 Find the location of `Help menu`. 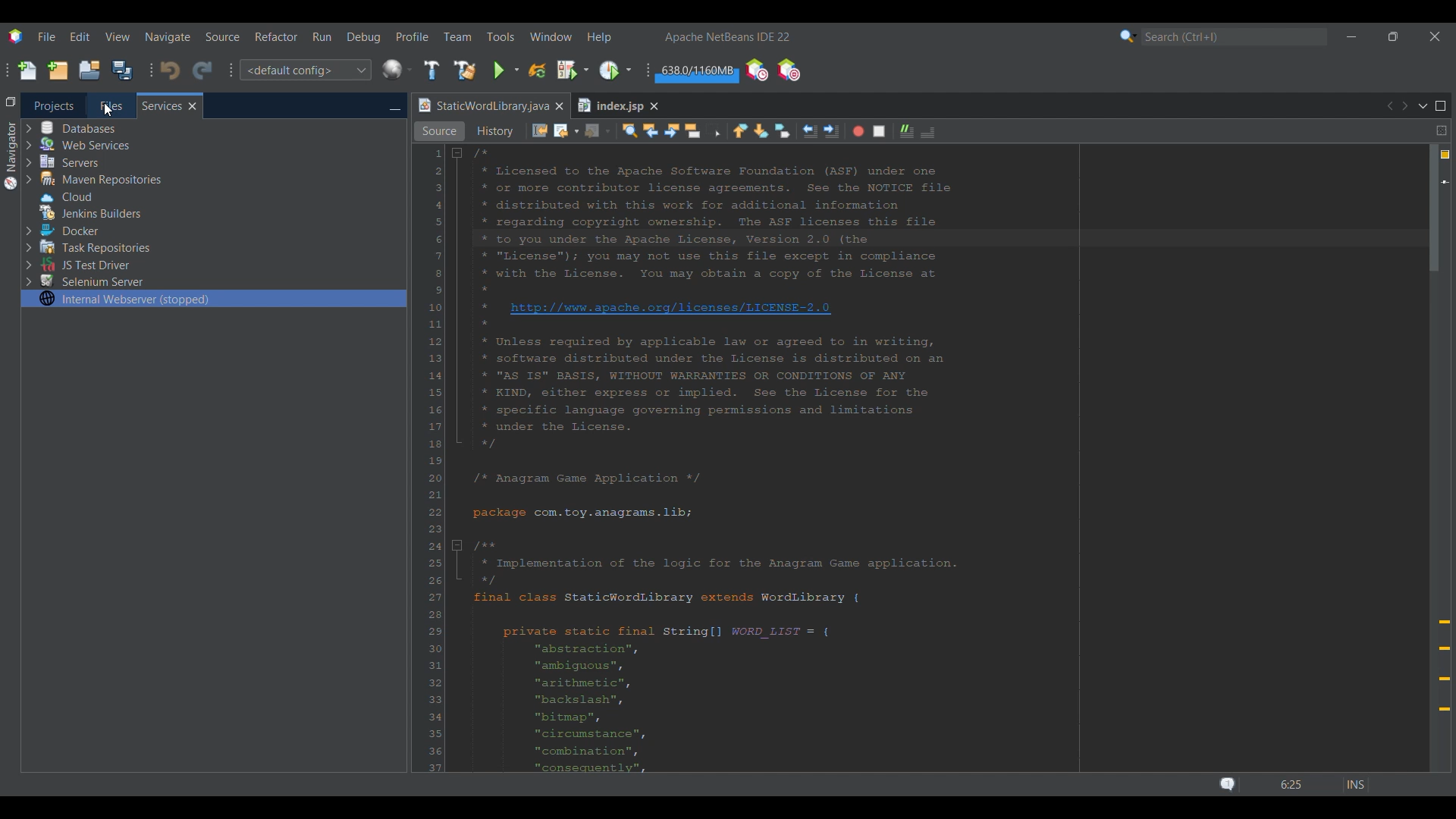

Help menu is located at coordinates (598, 38).